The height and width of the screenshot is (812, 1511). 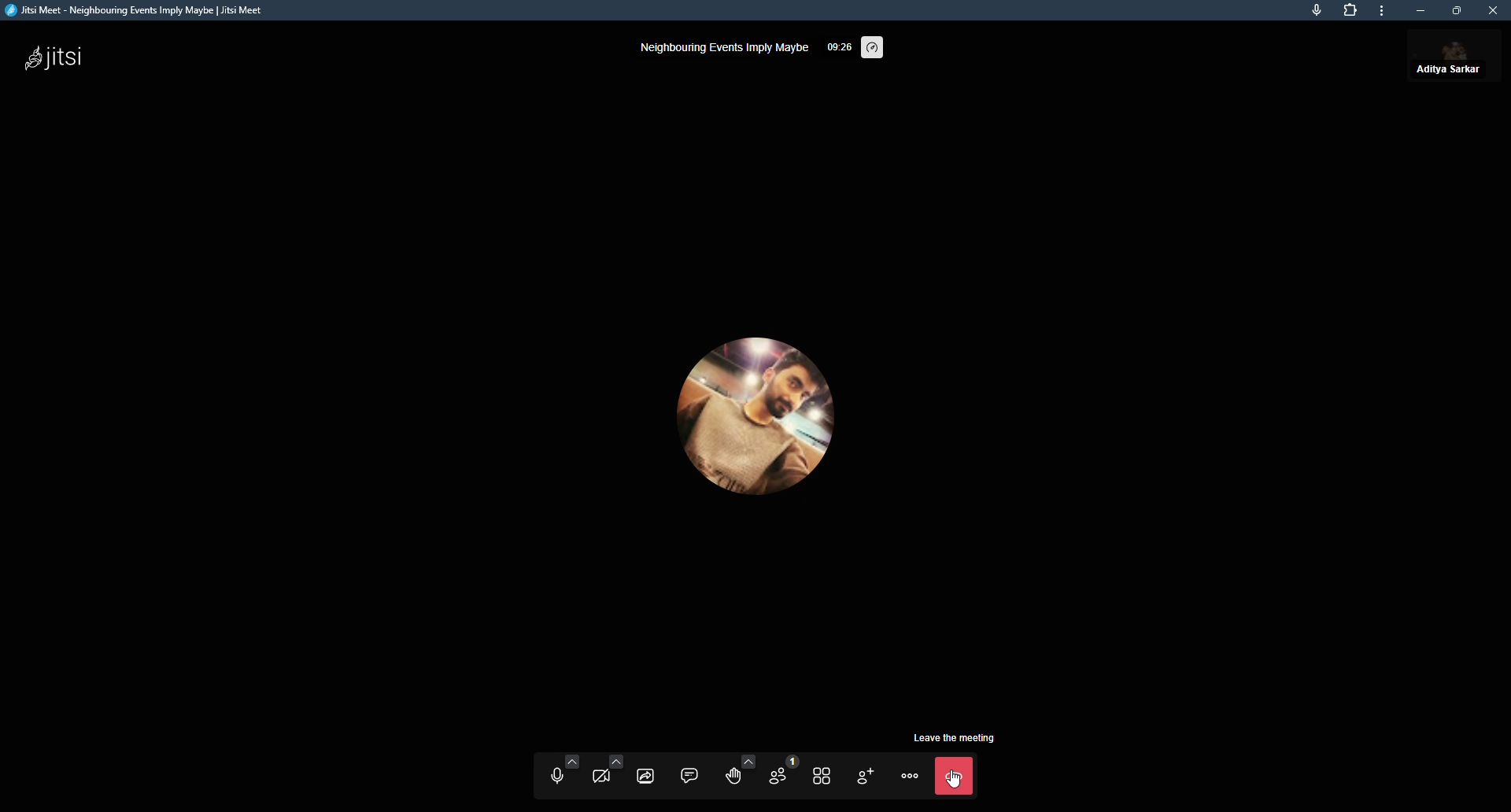 I want to click on mute microphone, so click(x=560, y=772).